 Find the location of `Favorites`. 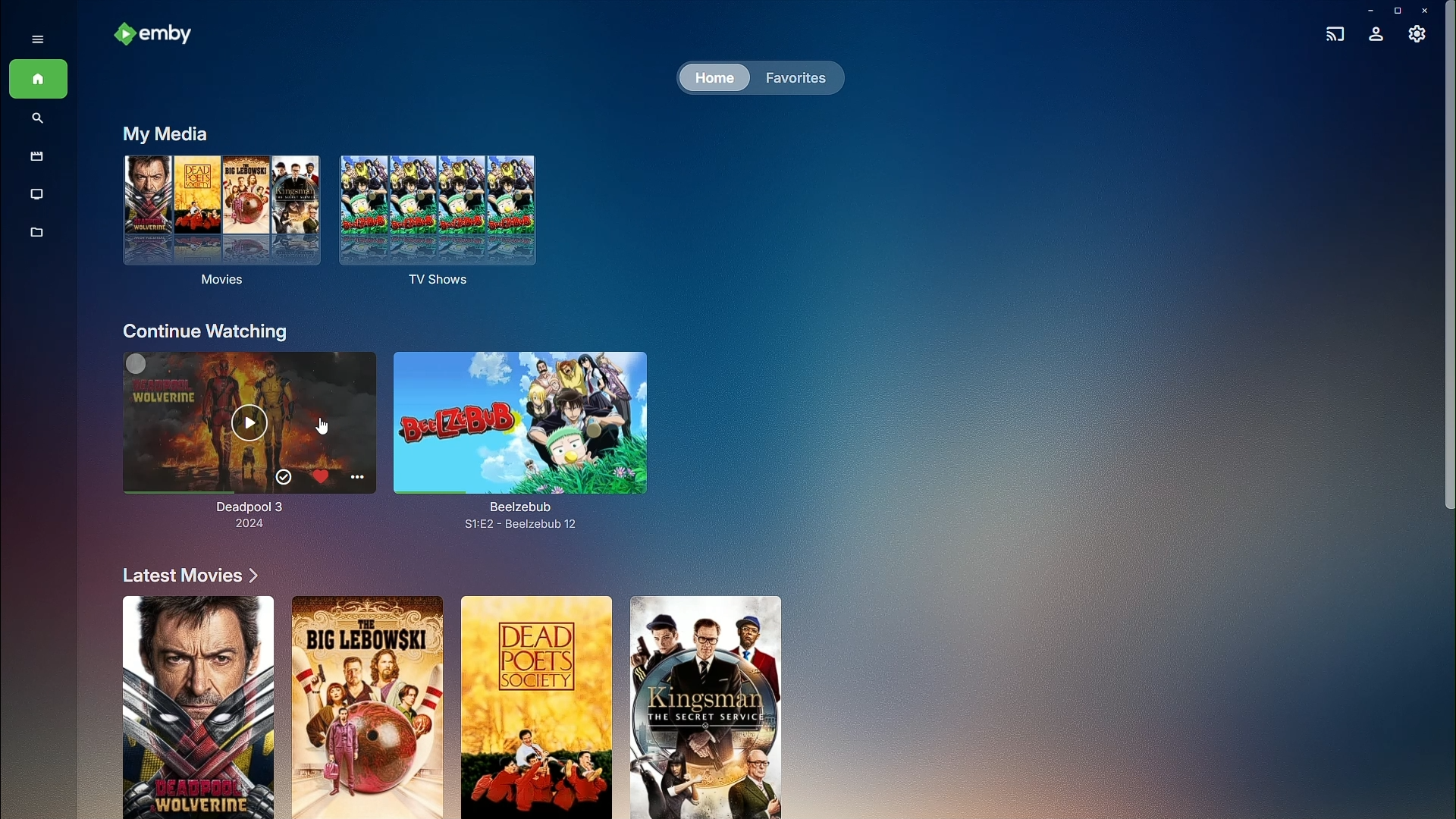

Favorites is located at coordinates (799, 79).